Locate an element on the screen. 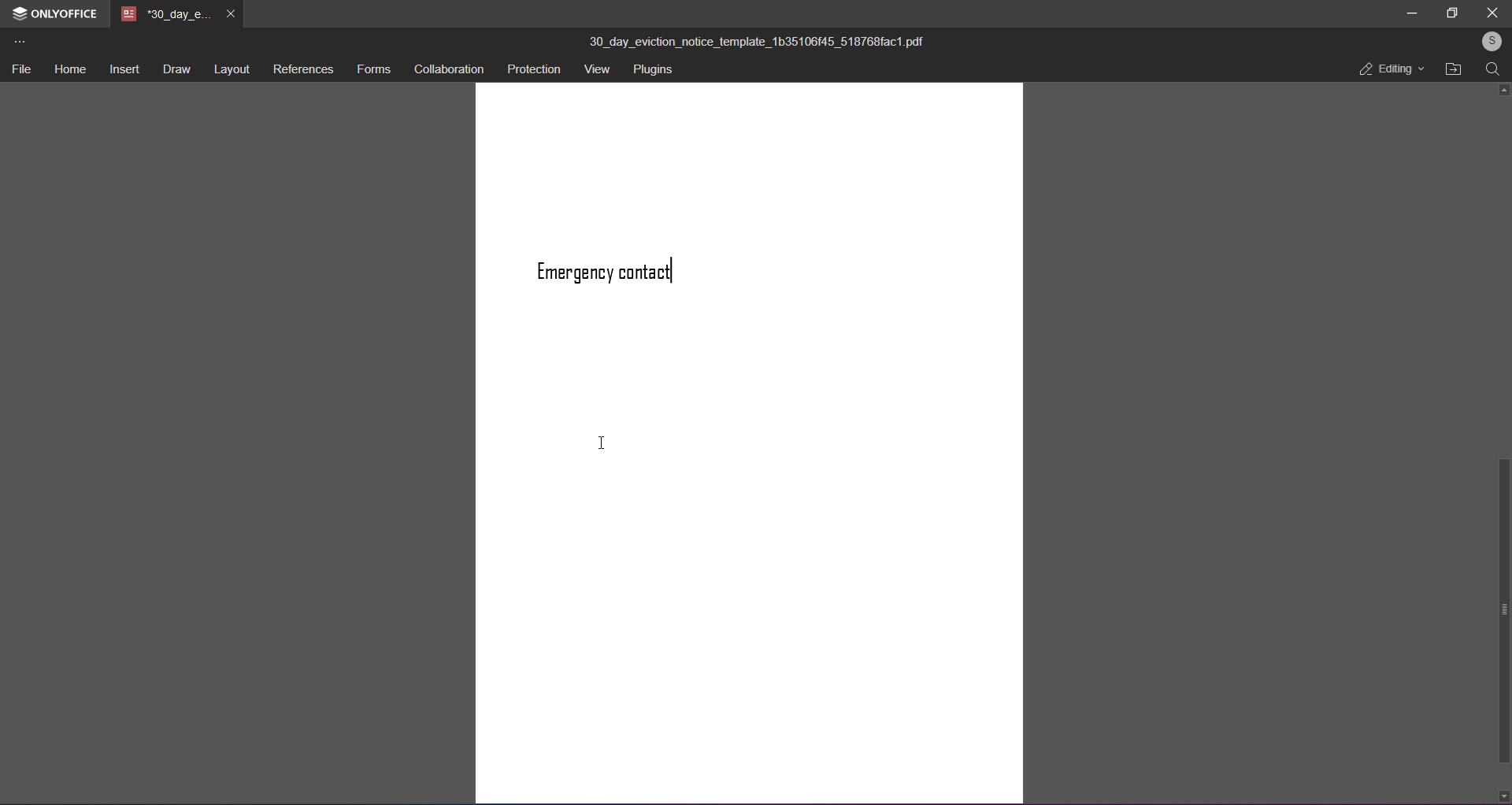 Image resolution: width=1512 pixels, height=805 pixels. open file location is located at coordinates (1453, 70).